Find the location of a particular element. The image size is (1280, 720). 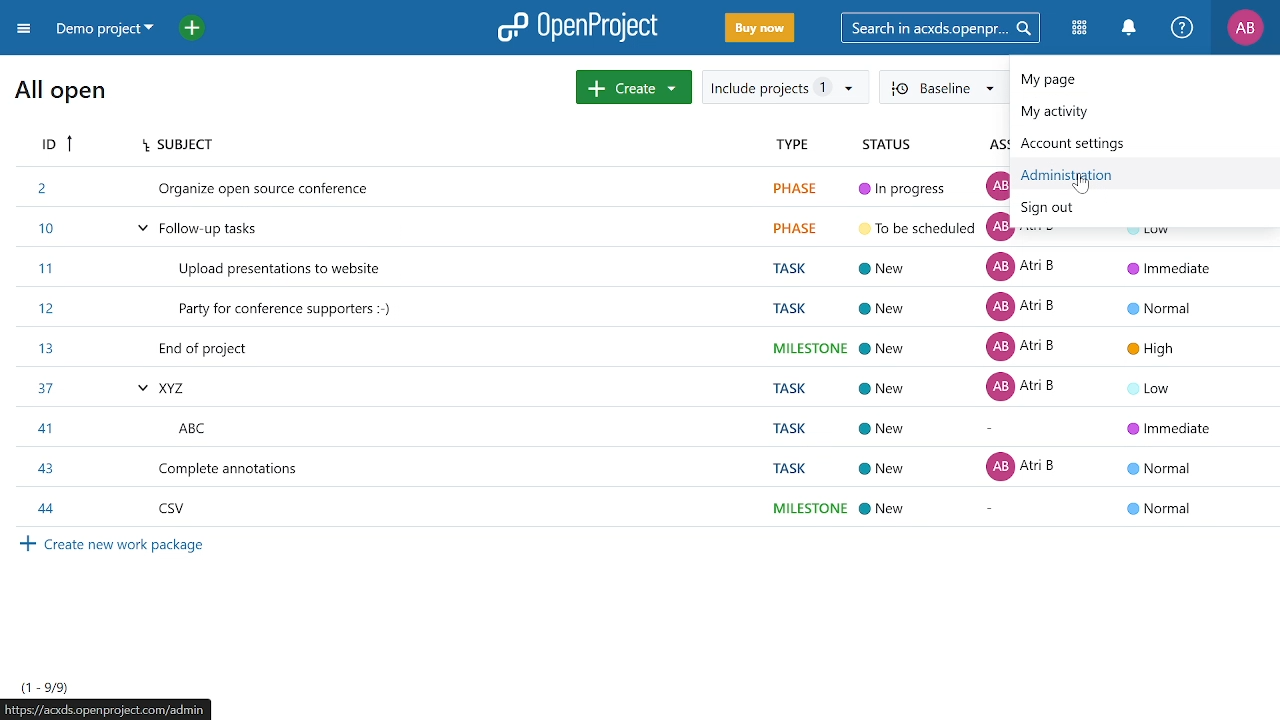

ID is located at coordinates (61, 147).